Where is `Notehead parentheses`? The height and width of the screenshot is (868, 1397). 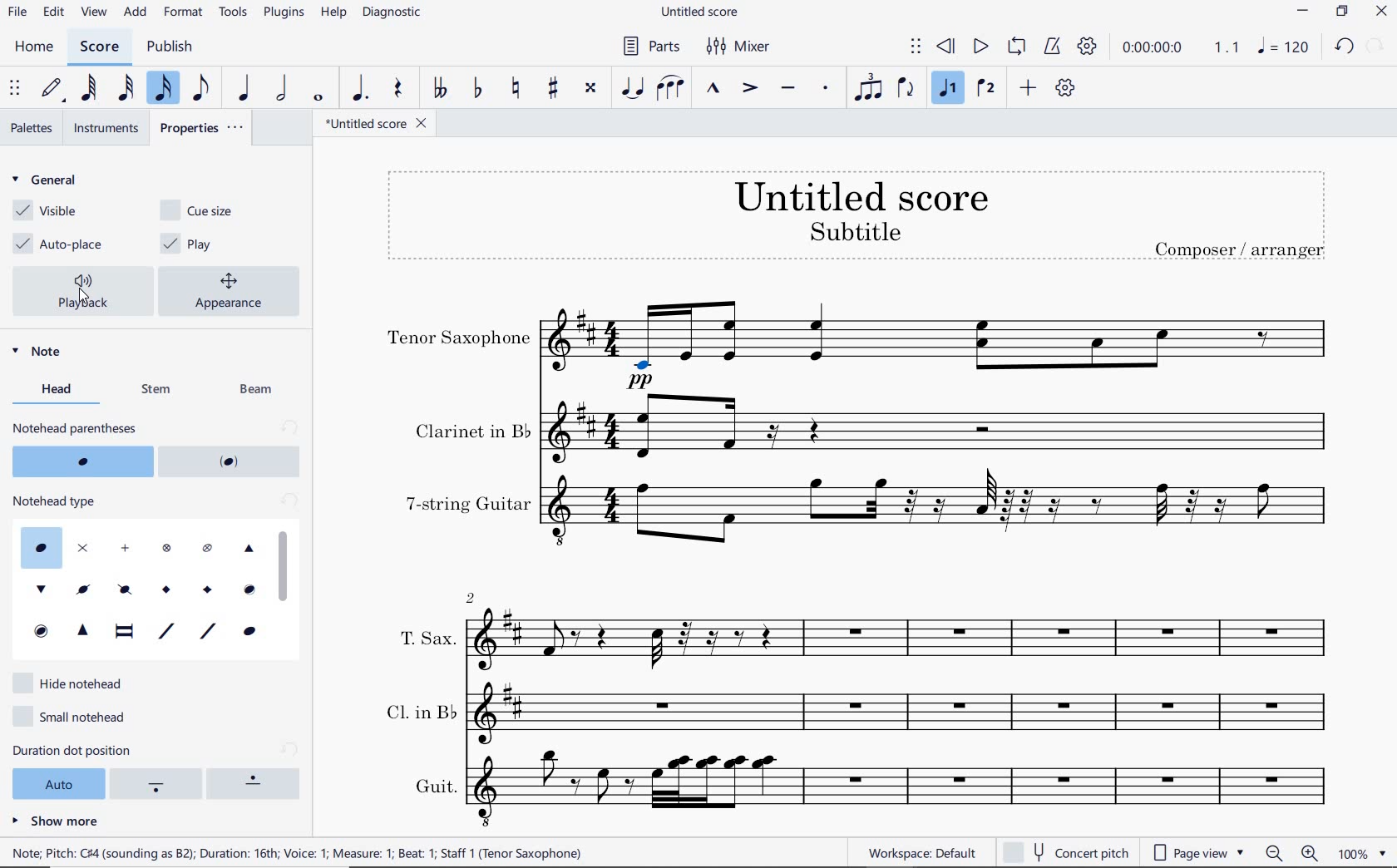
Notehead parentheses is located at coordinates (81, 461).